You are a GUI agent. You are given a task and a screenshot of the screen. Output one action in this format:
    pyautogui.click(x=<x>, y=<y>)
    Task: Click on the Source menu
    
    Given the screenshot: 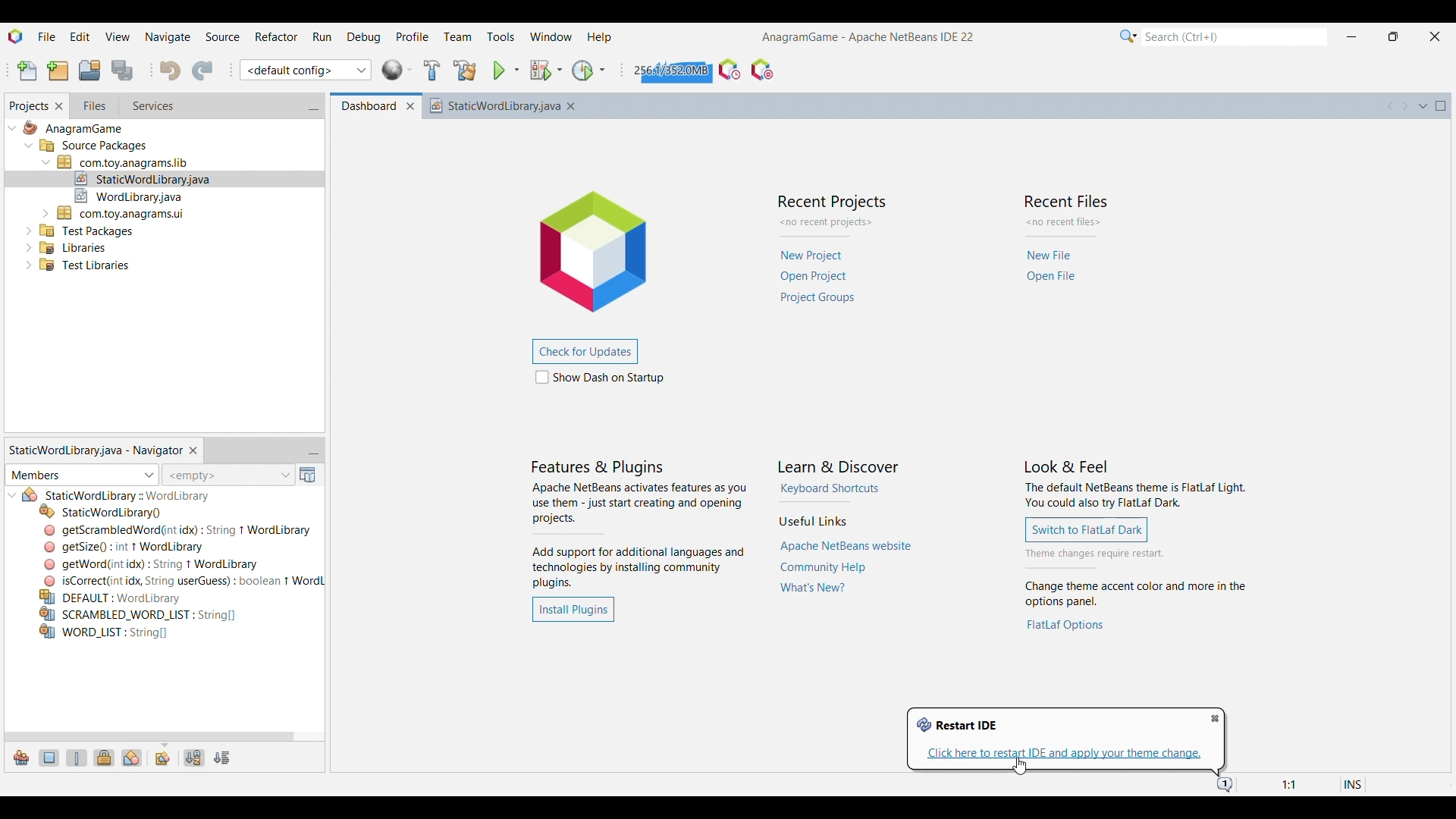 What is the action you would take?
    pyautogui.click(x=222, y=36)
    